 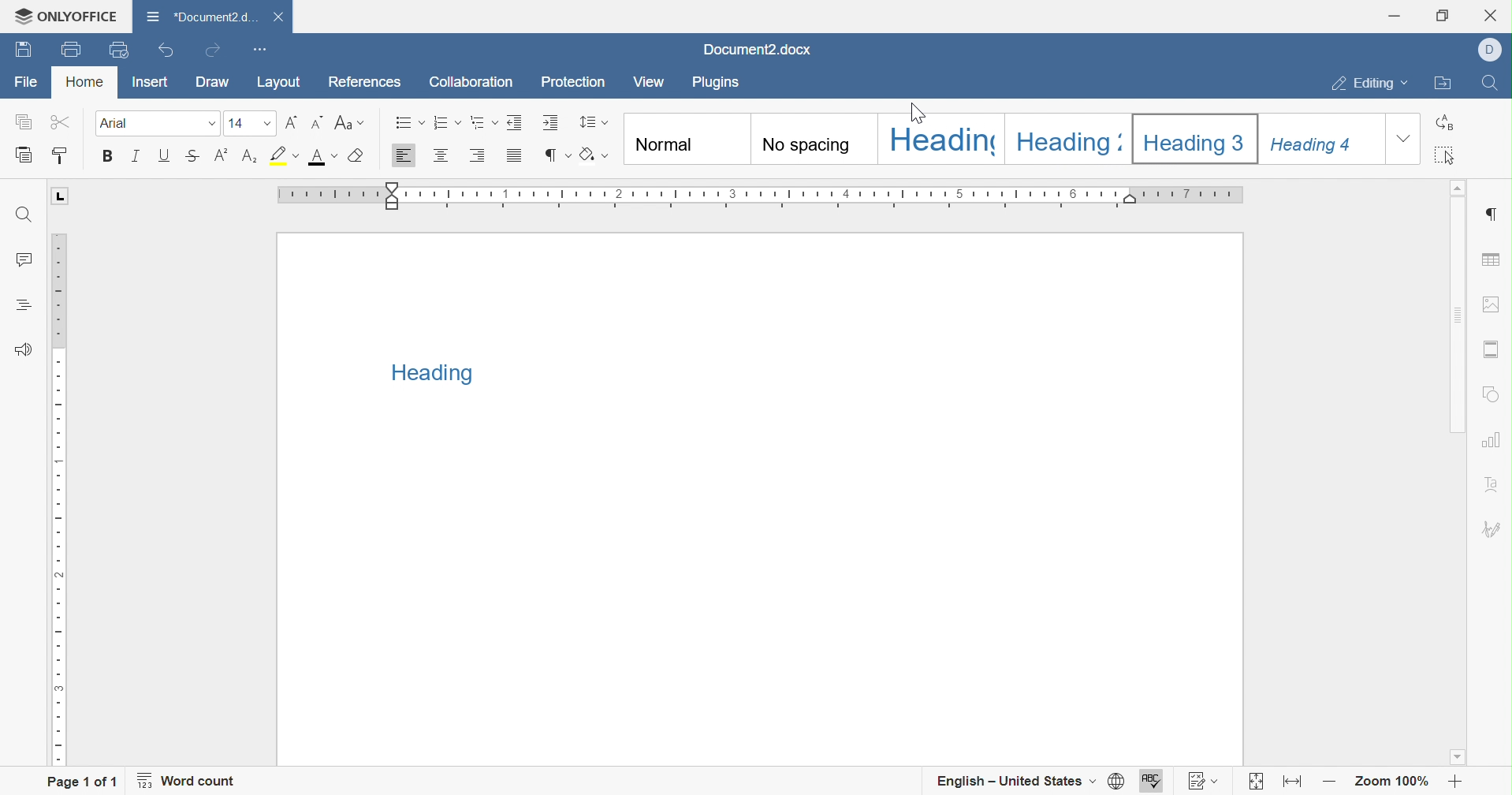 I want to click on Strikethrough, so click(x=189, y=159).